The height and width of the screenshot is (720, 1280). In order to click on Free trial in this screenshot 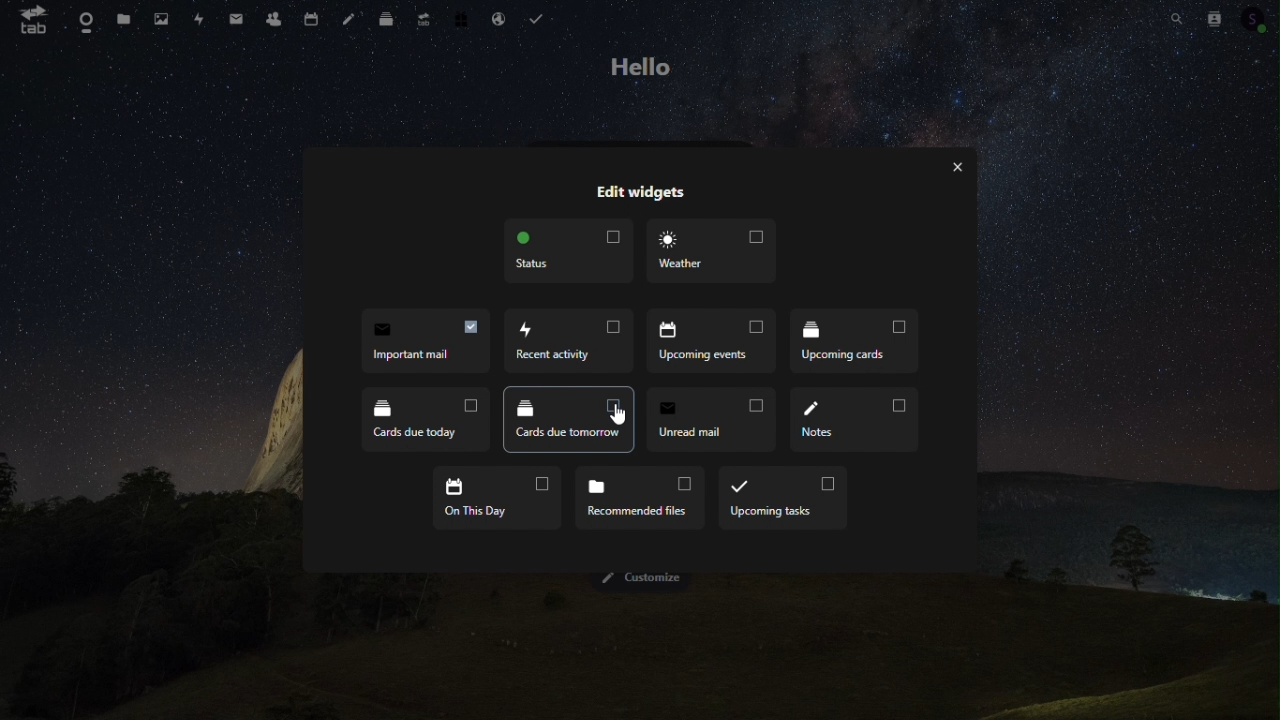, I will do `click(456, 18)`.